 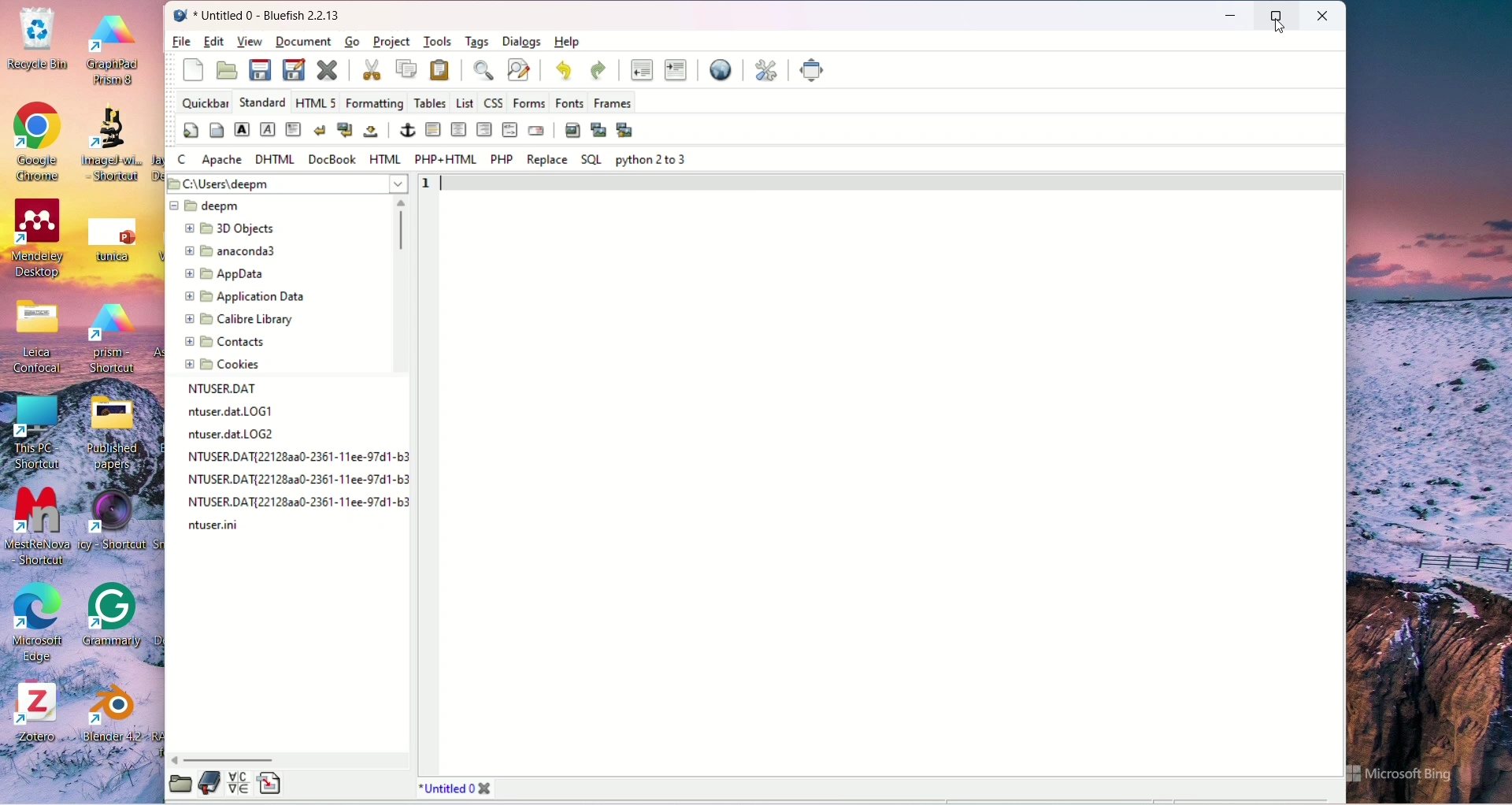 I want to click on multi-thumbnail, so click(x=627, y=130).